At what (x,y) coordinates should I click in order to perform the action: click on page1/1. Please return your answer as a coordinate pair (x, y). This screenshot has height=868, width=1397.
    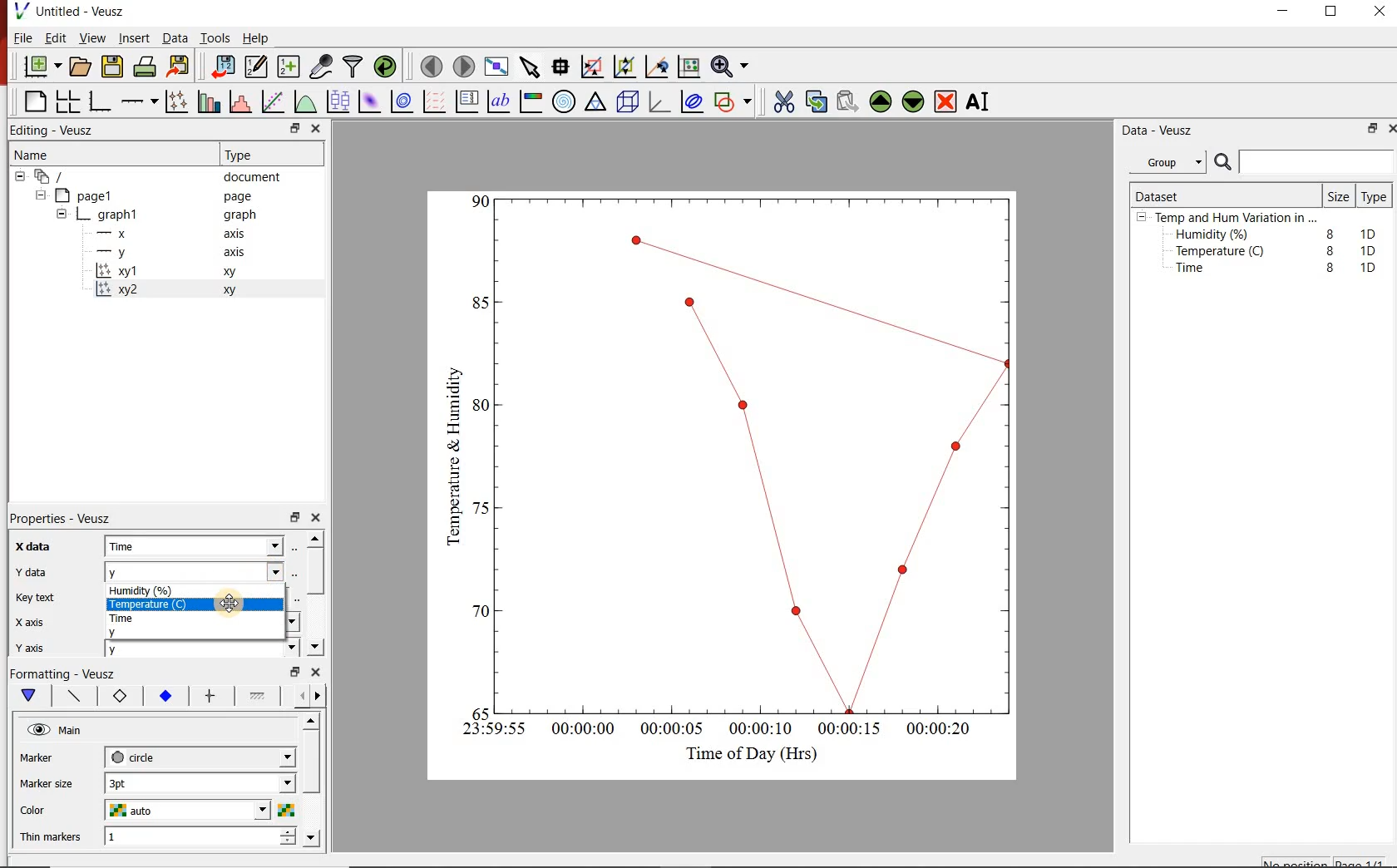
    Looking at the image, I should click on (1365, 861).